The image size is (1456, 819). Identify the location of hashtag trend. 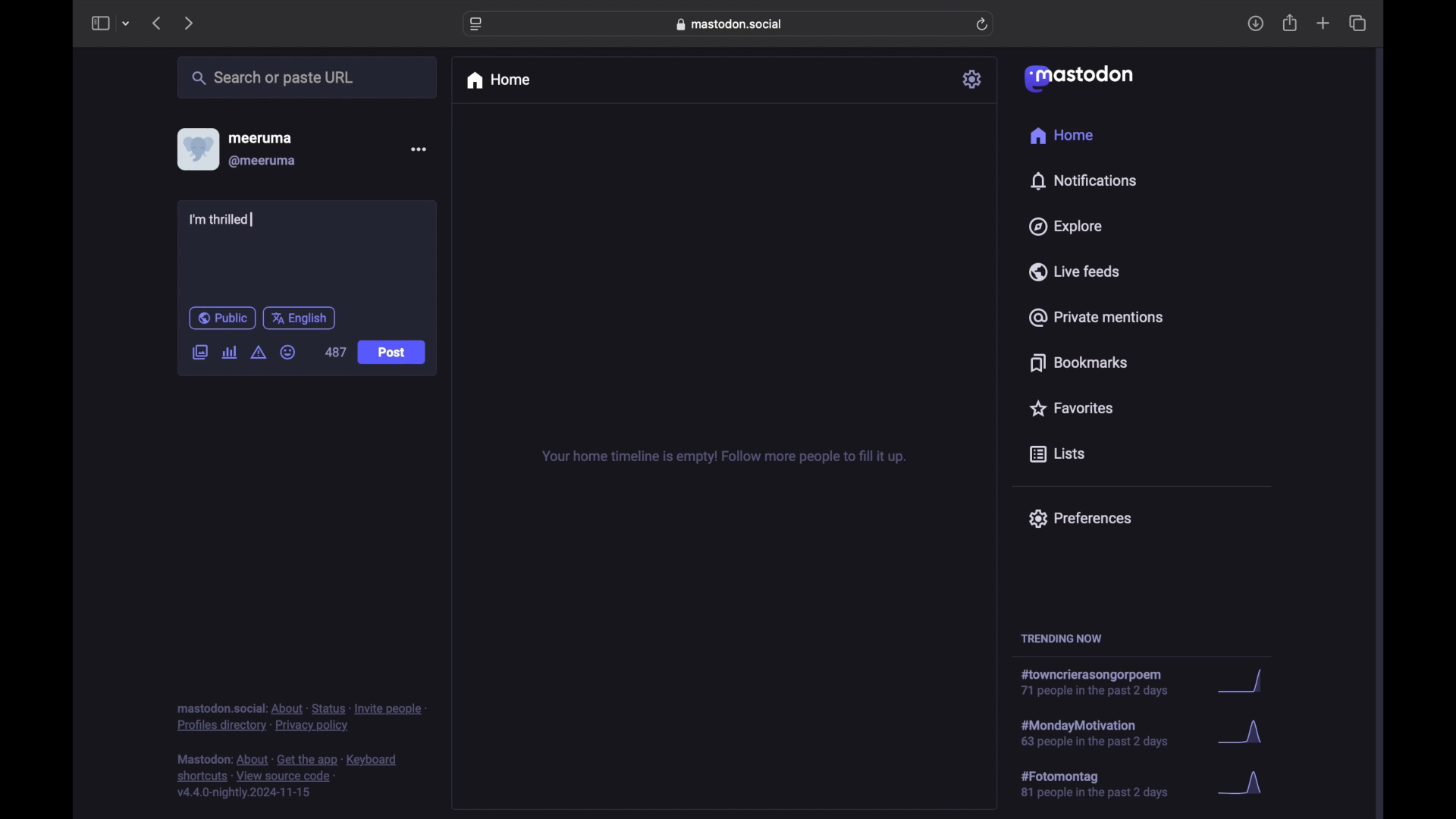
(1105, 783).